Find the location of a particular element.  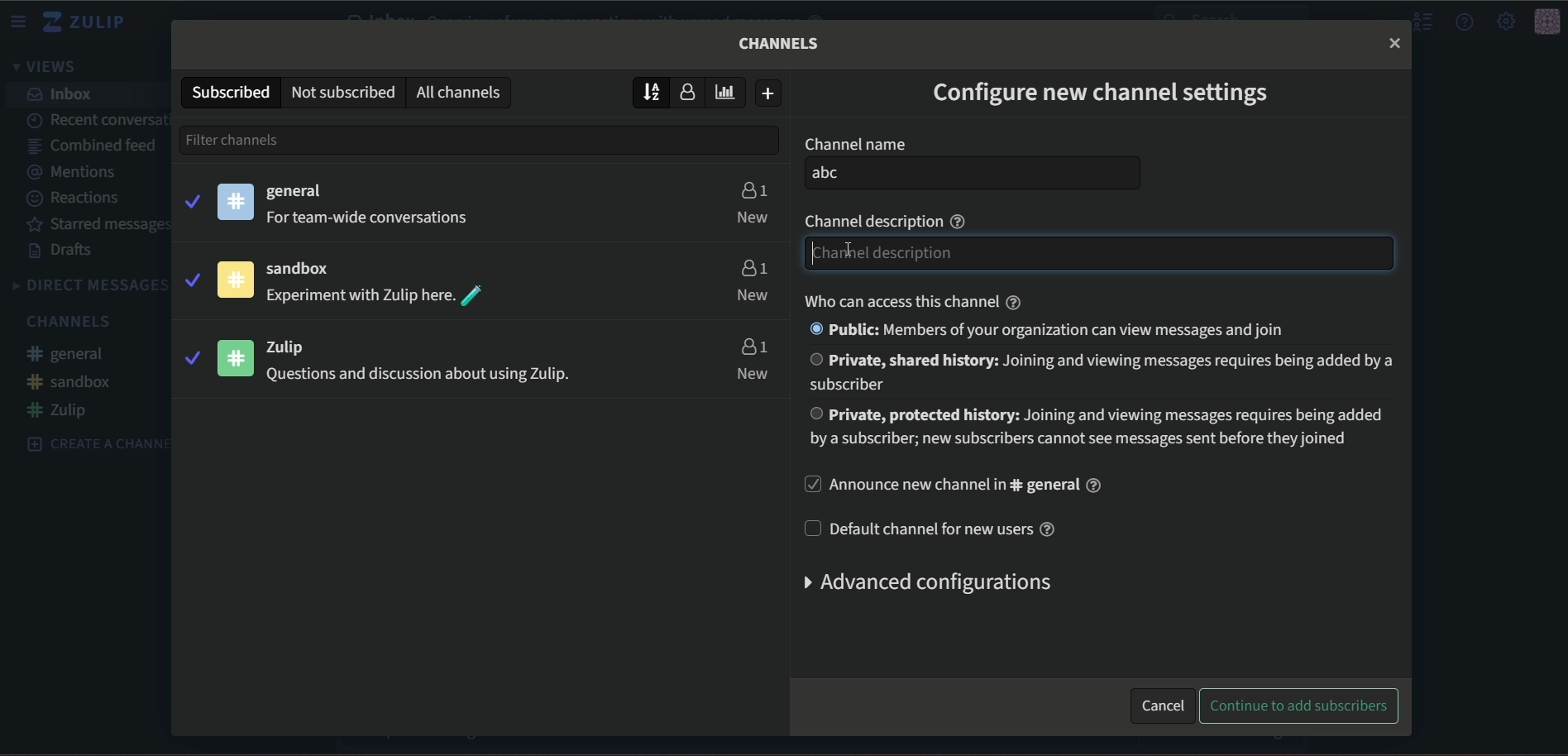

drafts is located at coordinates (64, 251).